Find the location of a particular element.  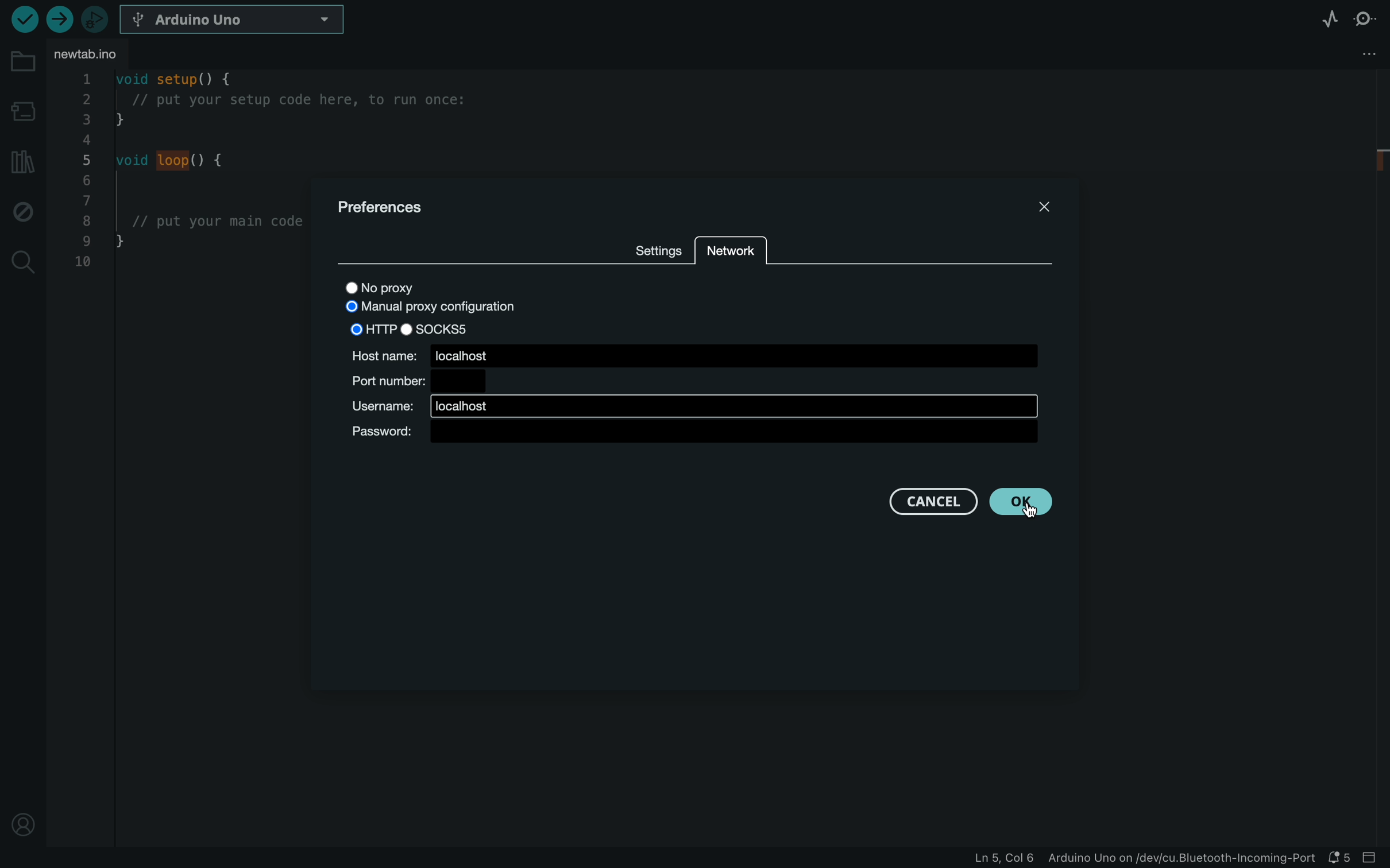

serial plotter is located at coordinates (1330, 19).